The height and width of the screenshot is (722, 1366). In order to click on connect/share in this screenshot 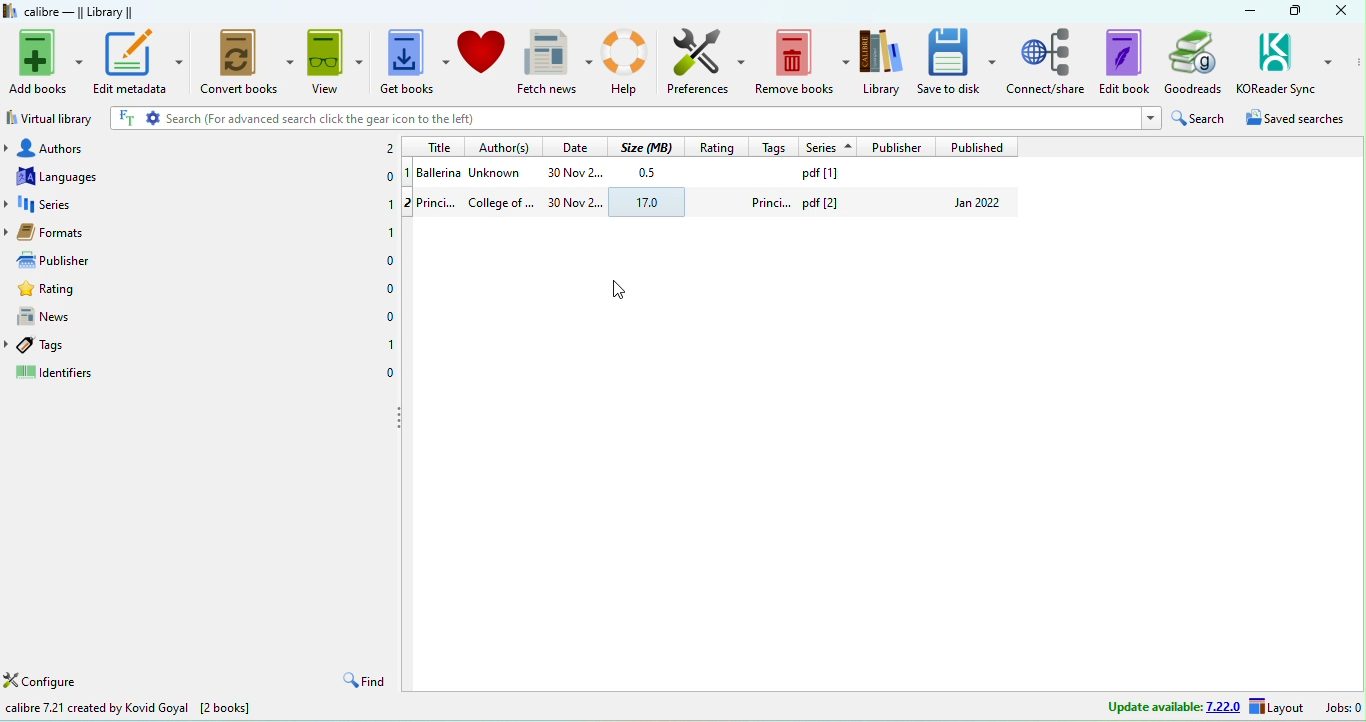, I will do `click(1048, 61)`.